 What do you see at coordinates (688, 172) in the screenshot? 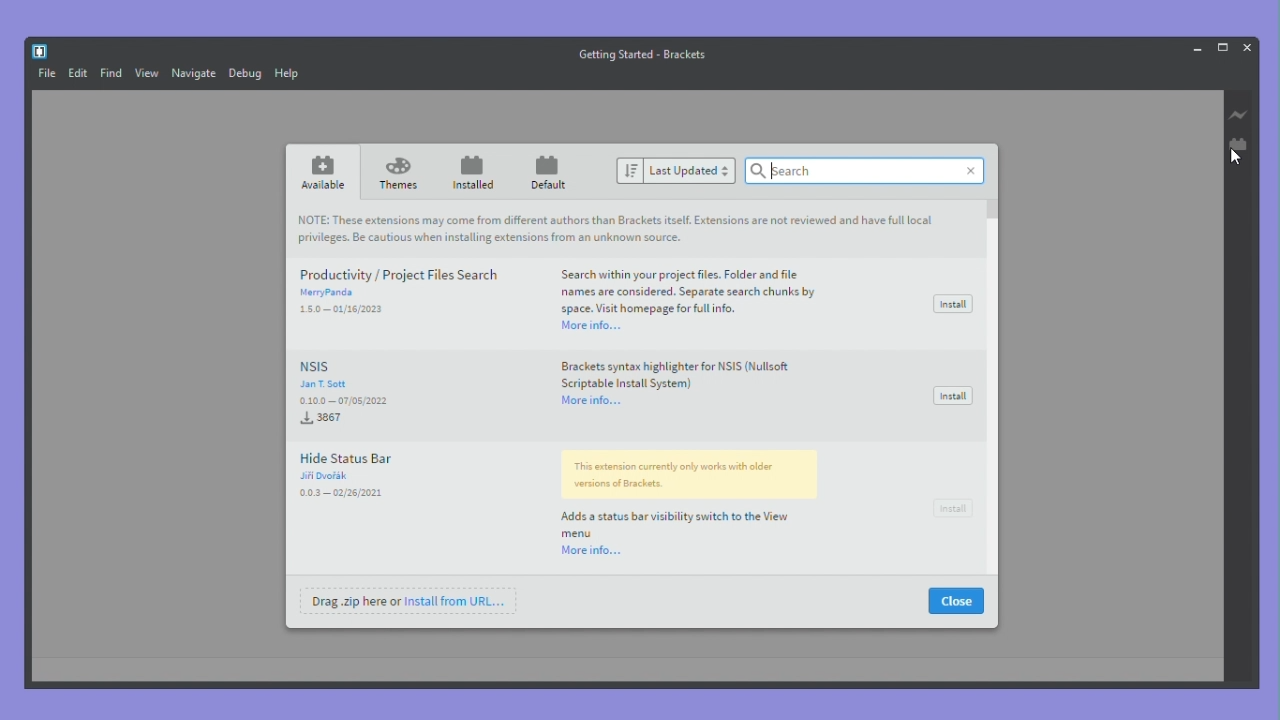
I see `Sorting by last updated` at bounding box center [688, 172].